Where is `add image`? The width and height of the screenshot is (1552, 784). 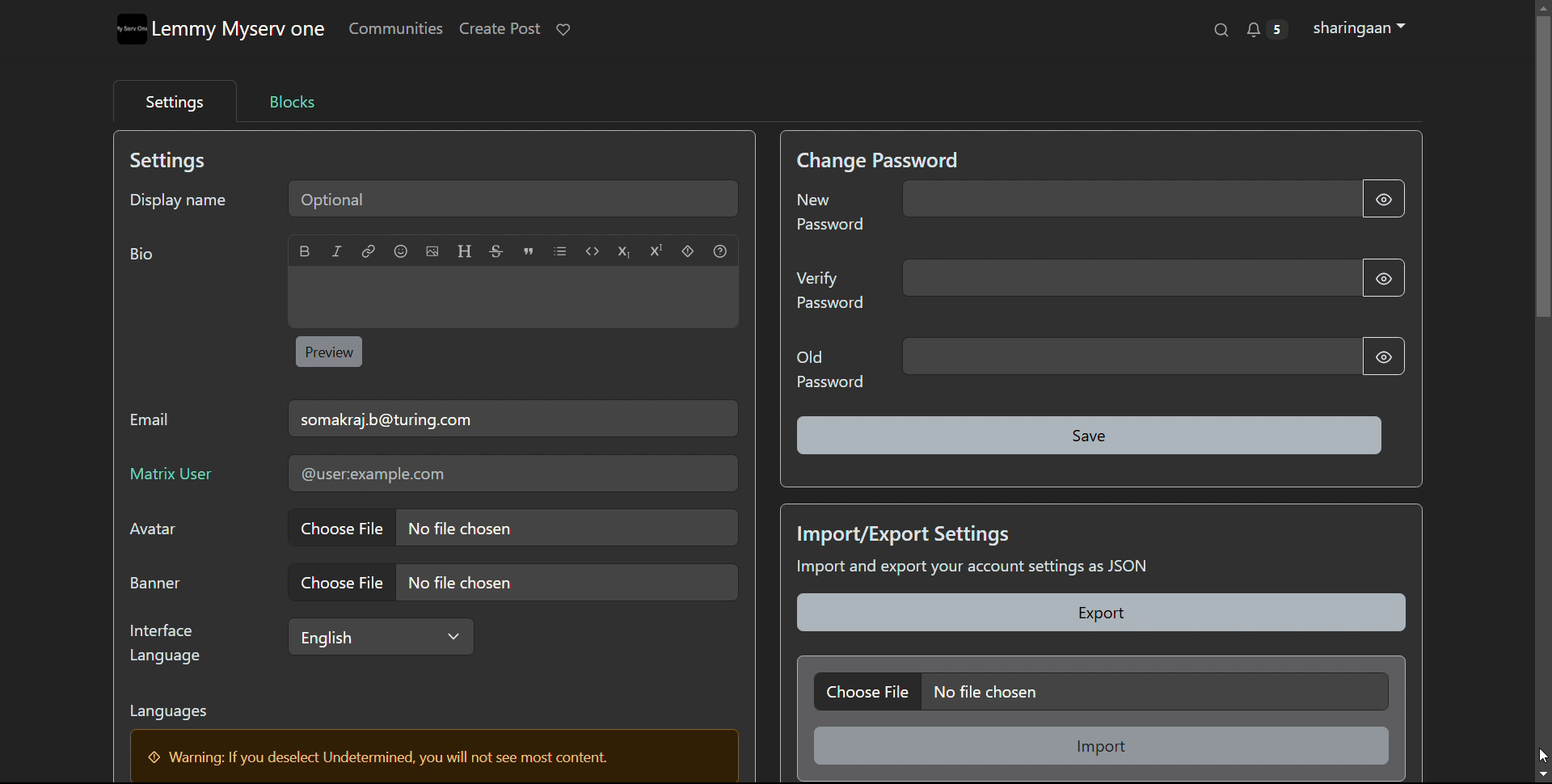 add image is located at coordinates (432, 251).